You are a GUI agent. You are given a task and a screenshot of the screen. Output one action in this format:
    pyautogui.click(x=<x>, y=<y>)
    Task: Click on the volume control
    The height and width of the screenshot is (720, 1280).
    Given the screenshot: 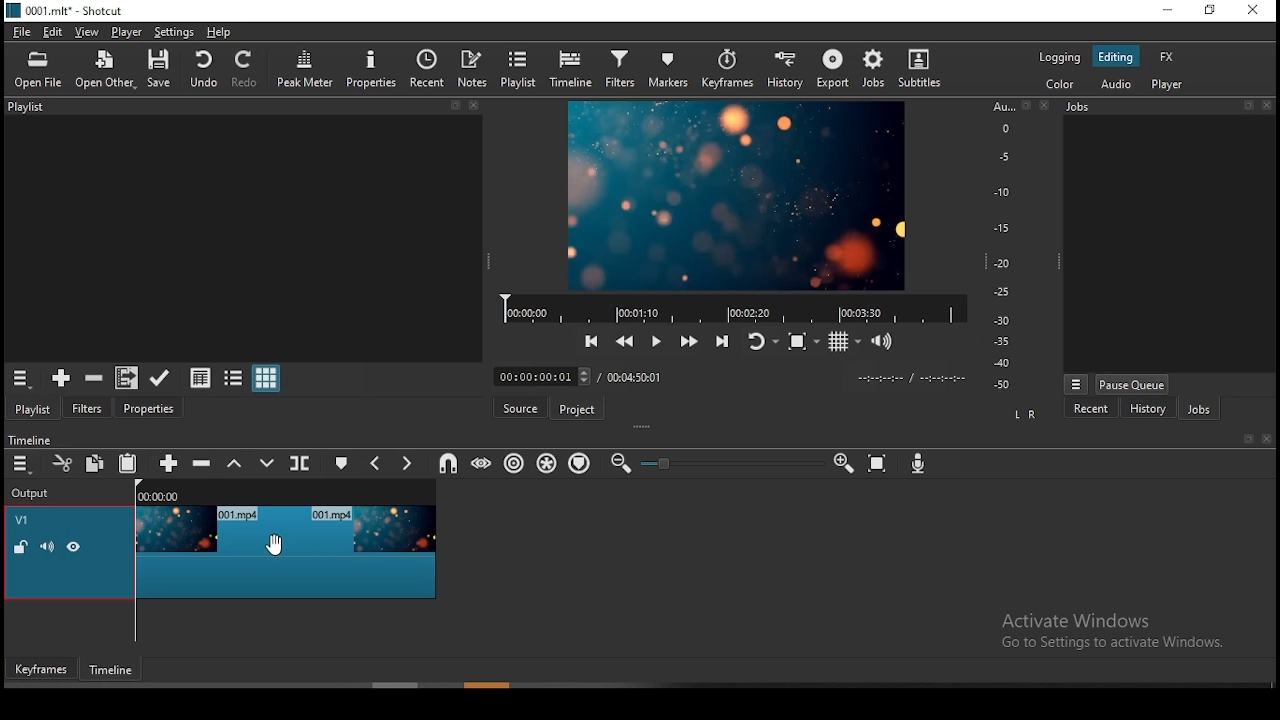 What is the action you would take?
    pyautogui.click(x=882, y=341)
    